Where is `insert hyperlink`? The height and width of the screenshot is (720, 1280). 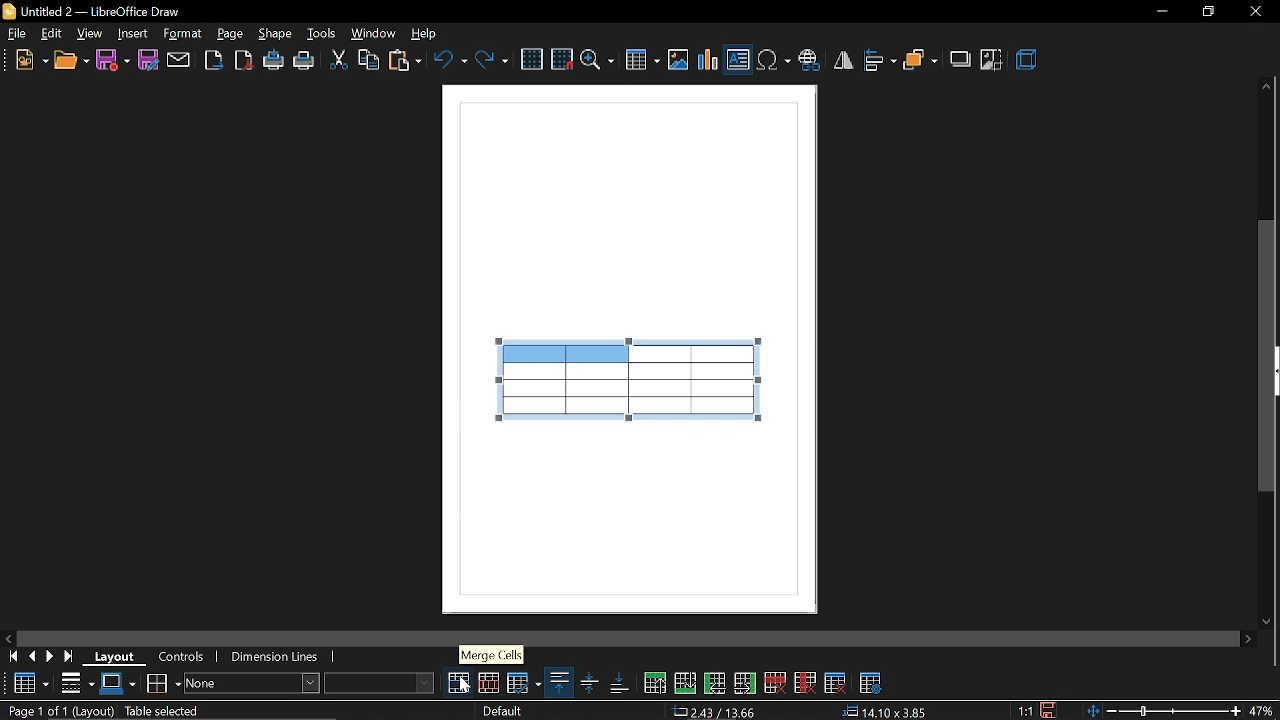
insert hyperlink is located at coordinates (808, 57).